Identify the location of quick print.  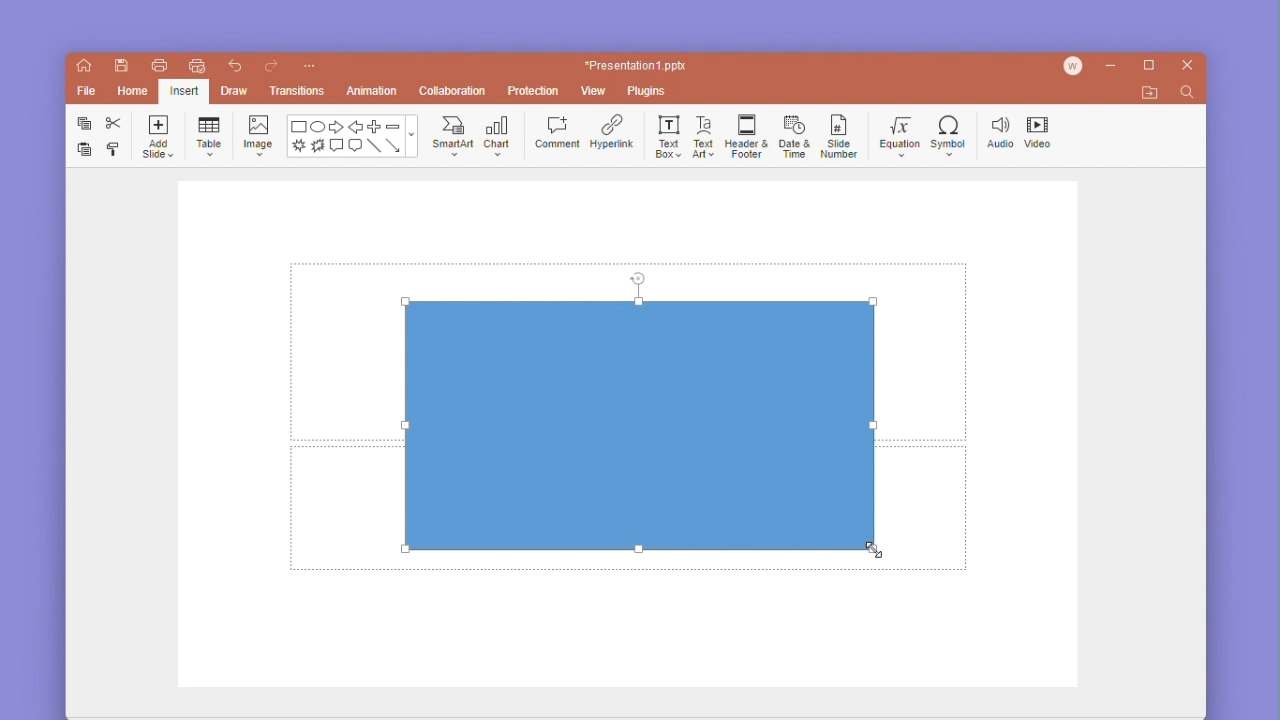
(194, 66).